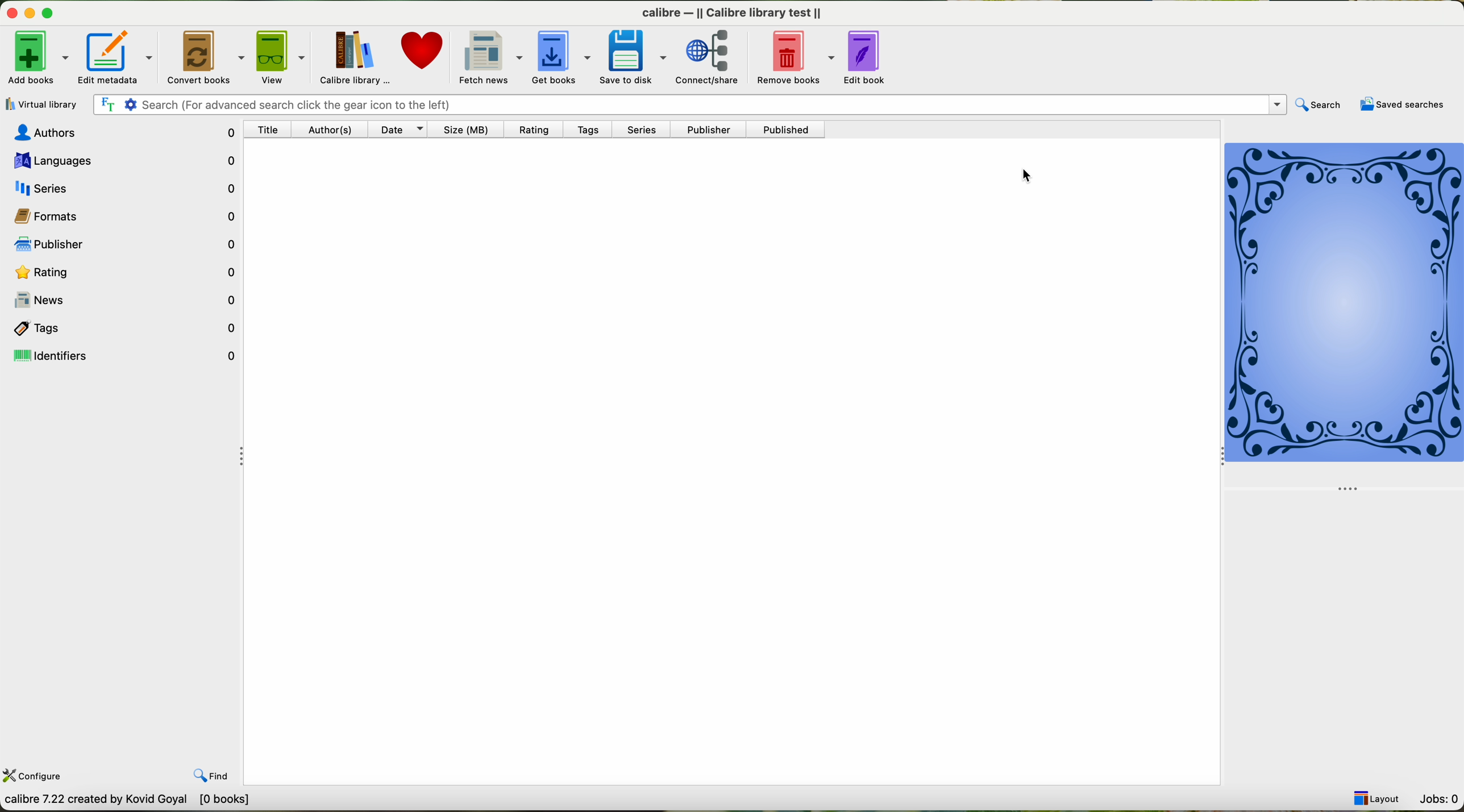  Describe the element at coordinates (1437, 796) in the screenshot. I see `Jobs: 0` at that location.